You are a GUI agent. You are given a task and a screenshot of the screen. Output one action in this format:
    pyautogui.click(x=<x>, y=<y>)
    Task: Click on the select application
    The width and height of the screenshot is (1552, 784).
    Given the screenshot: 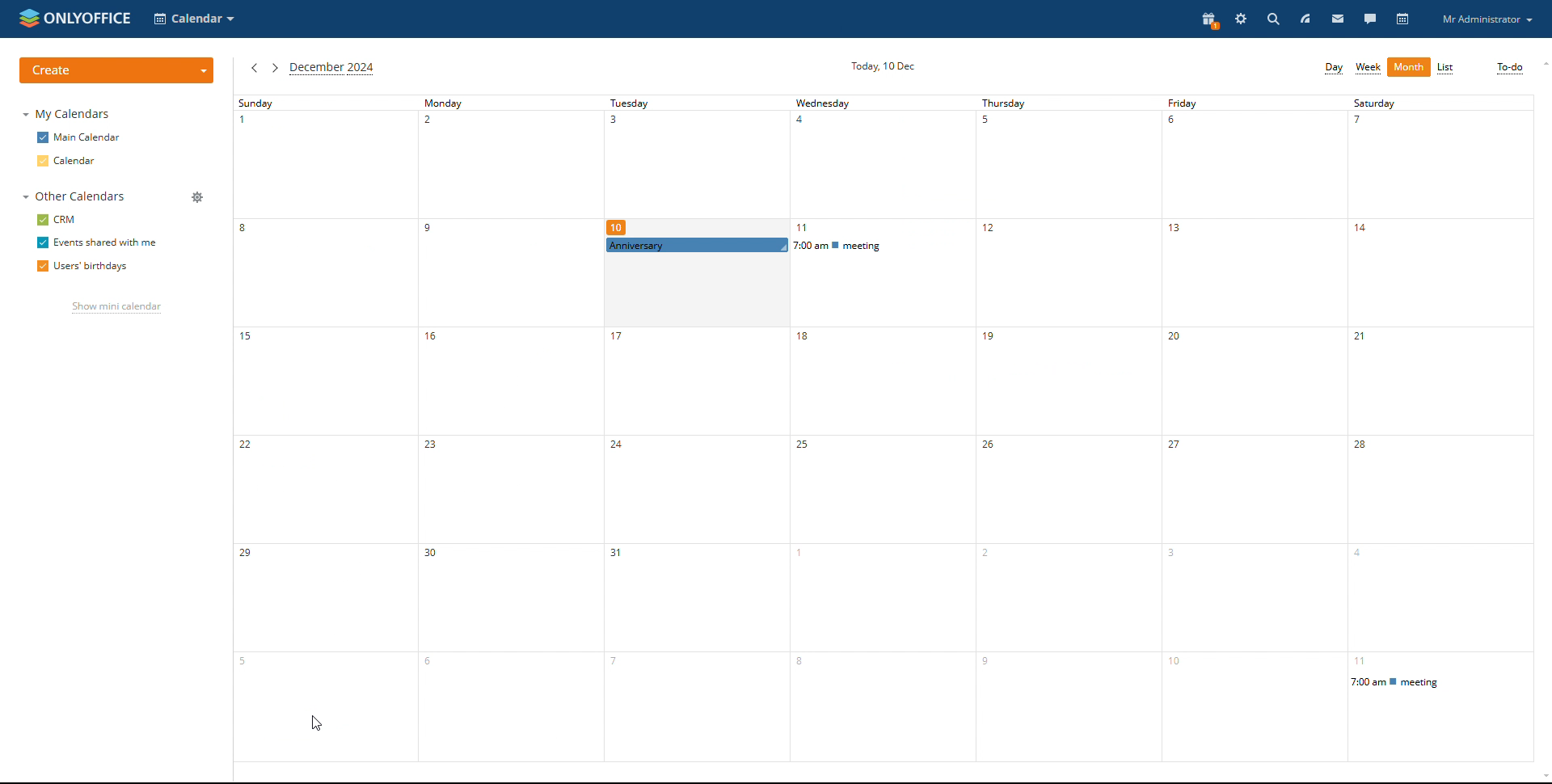 What is the action you would take?
    pyautogui.click(x=195, y=19)
    